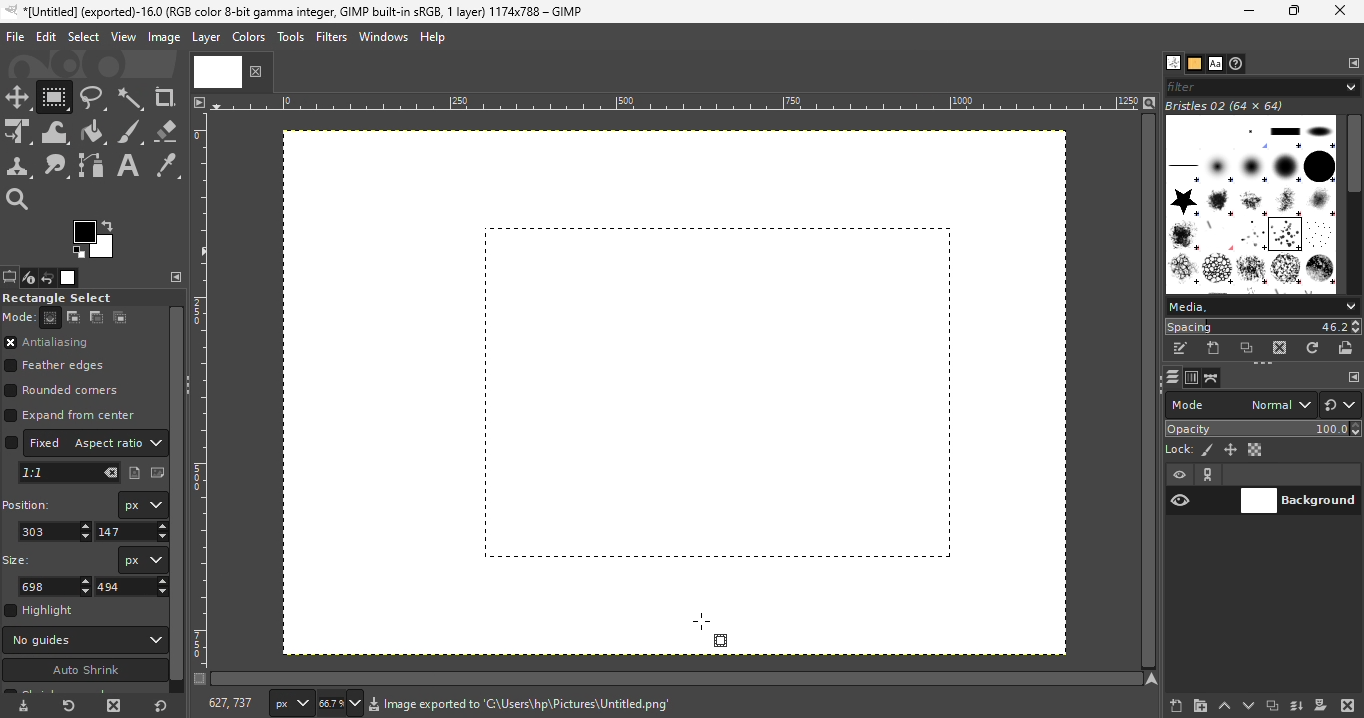 This screenshot has width=1364, height=718. What do you see at coordinates (45, 38) in the screenshot?
I see `Edit` at bounding box center [45, 38].